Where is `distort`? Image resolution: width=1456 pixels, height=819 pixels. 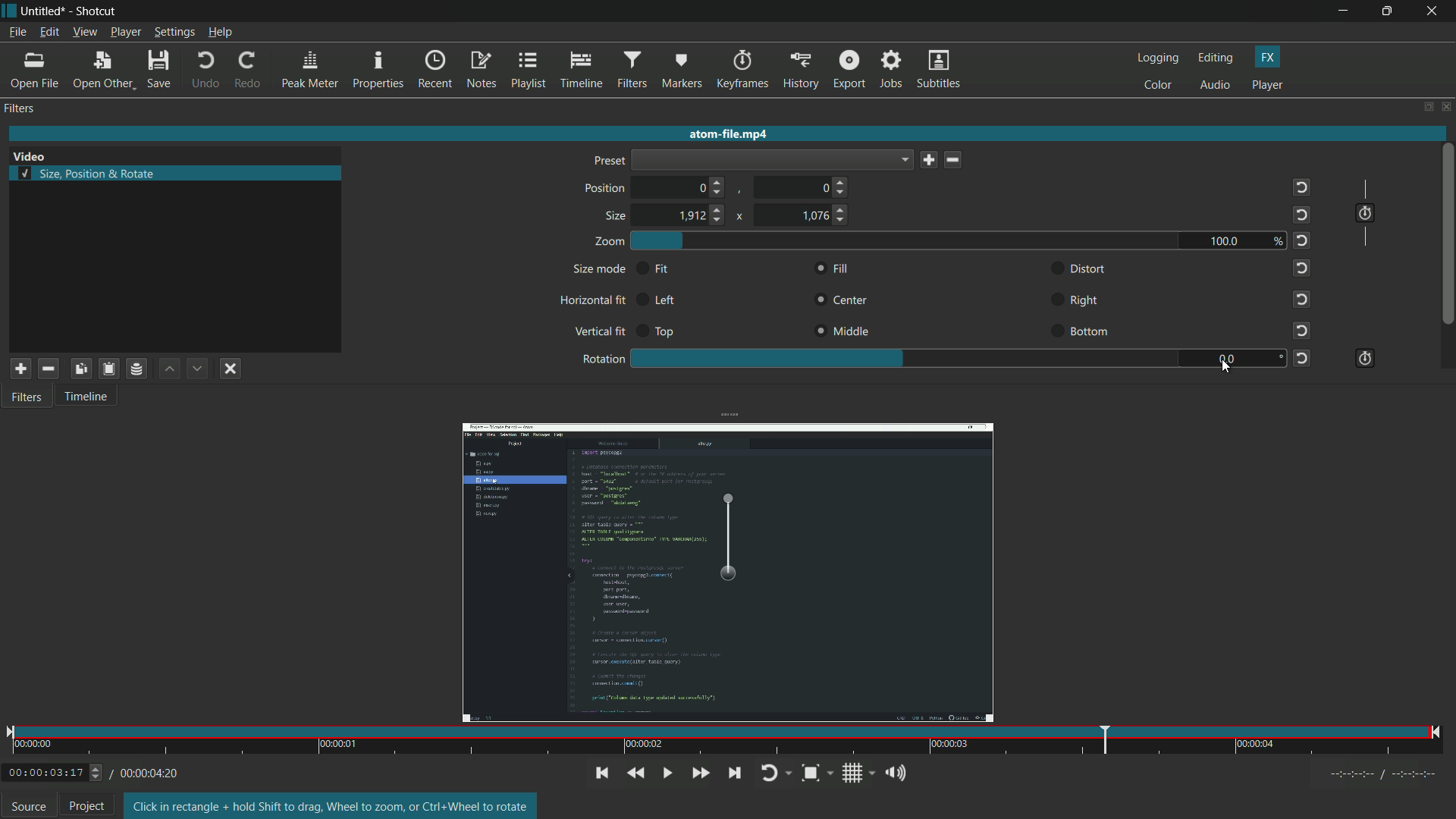 distort is located at coordinates (1089, 270).